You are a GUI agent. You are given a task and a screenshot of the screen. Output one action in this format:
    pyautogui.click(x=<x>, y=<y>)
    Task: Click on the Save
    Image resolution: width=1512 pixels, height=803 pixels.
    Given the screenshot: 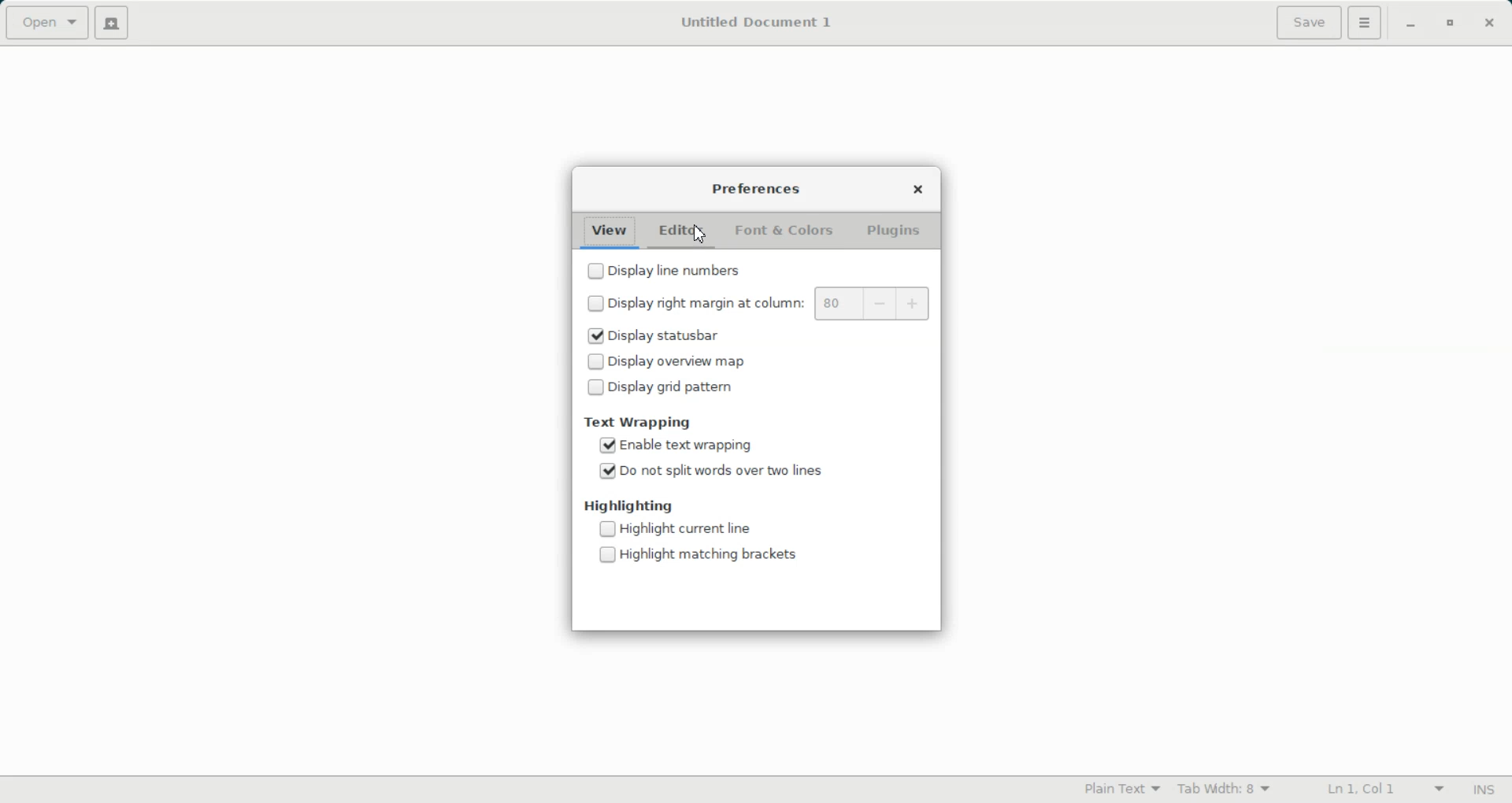 What is the action you would take?
    pyautogui.click(x=1307, y=23)
    